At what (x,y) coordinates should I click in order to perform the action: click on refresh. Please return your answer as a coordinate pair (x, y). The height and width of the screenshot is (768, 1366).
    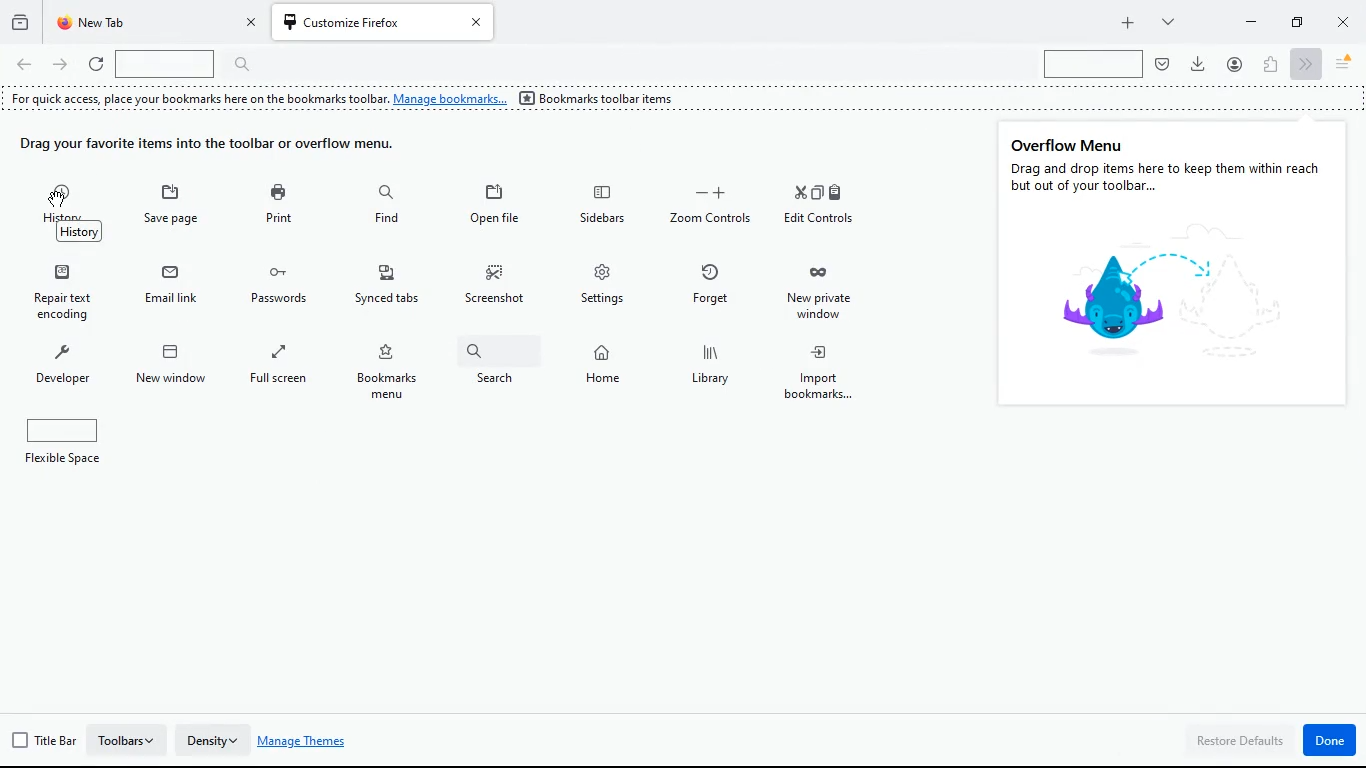
    Looking at the image, I should click on (96, 65).